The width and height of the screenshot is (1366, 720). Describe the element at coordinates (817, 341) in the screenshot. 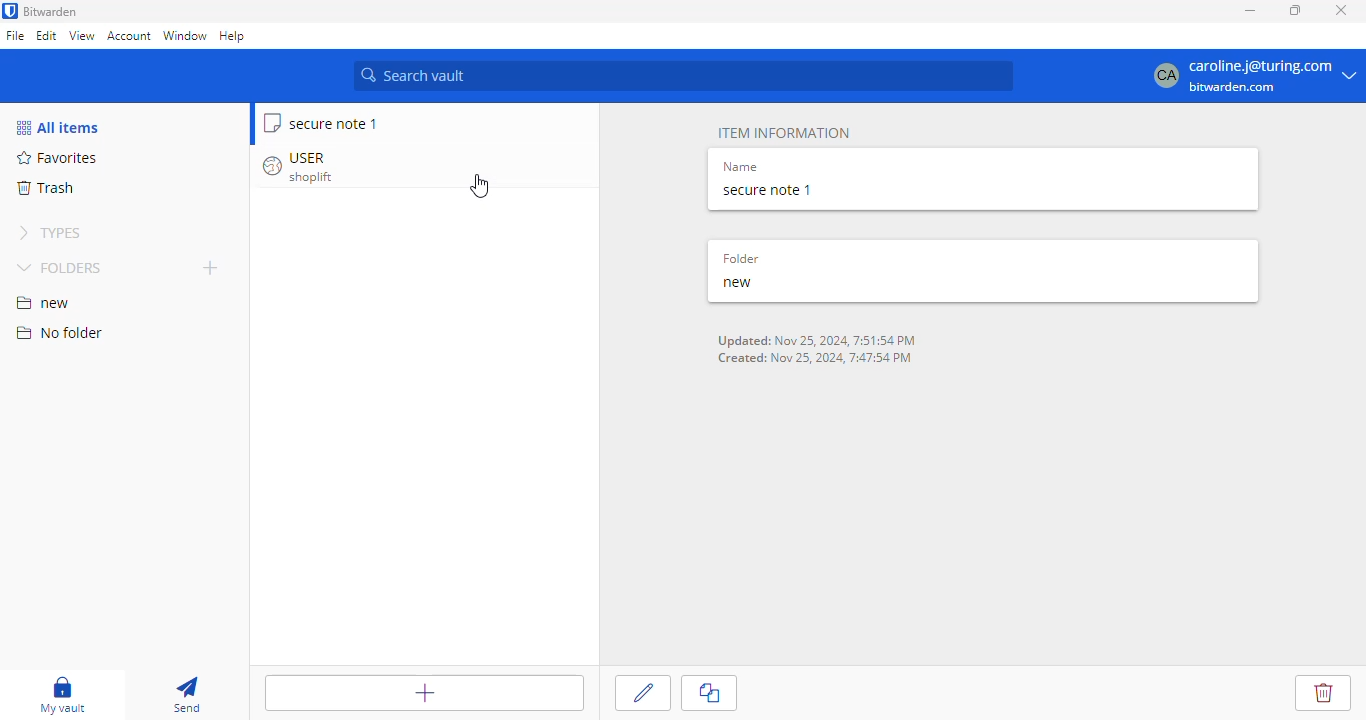

I see `Updated: Nov 25, 2024, 7:51:54 PM` at that location.